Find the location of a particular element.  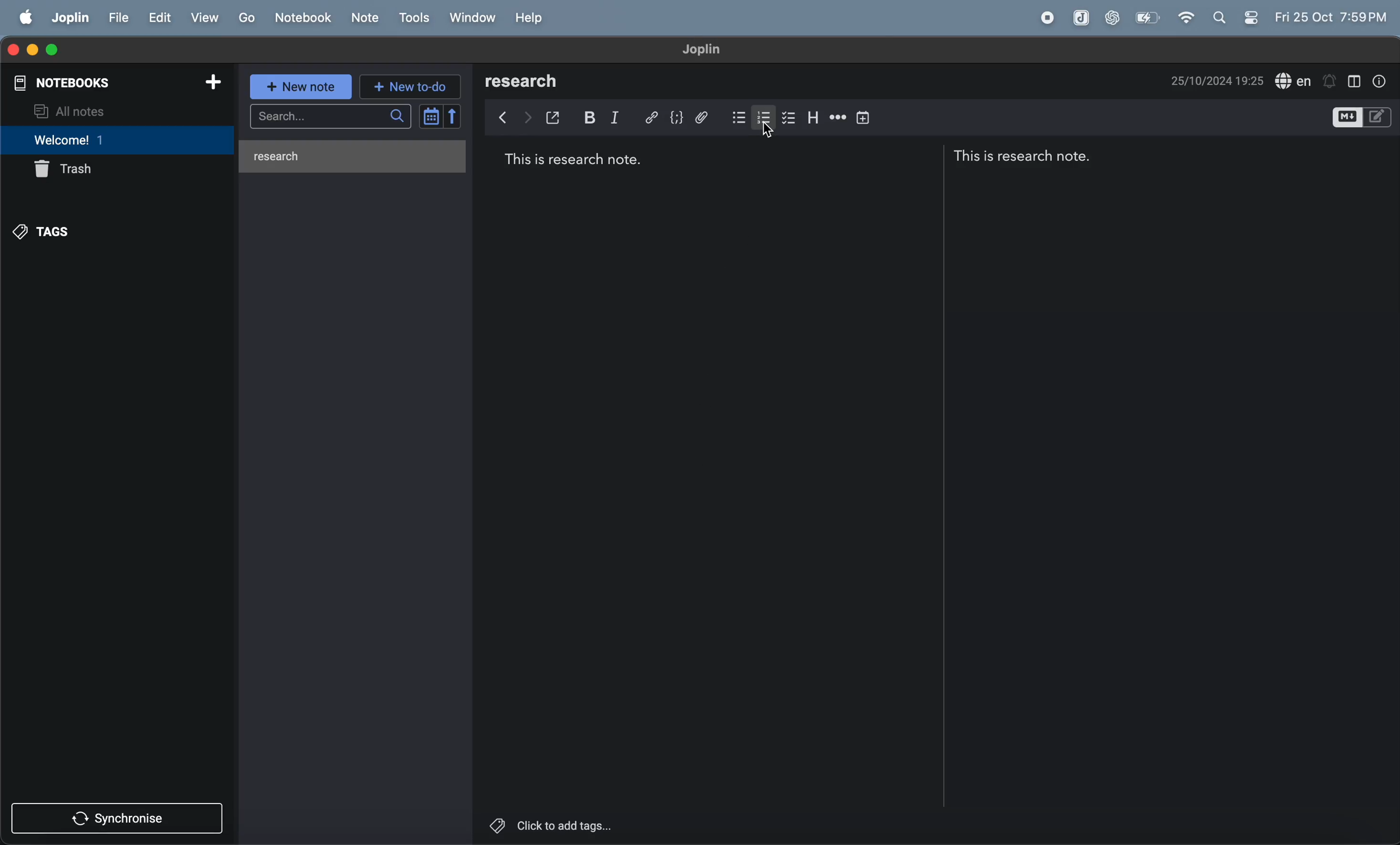

all notes is located at coordinates (106, 113).